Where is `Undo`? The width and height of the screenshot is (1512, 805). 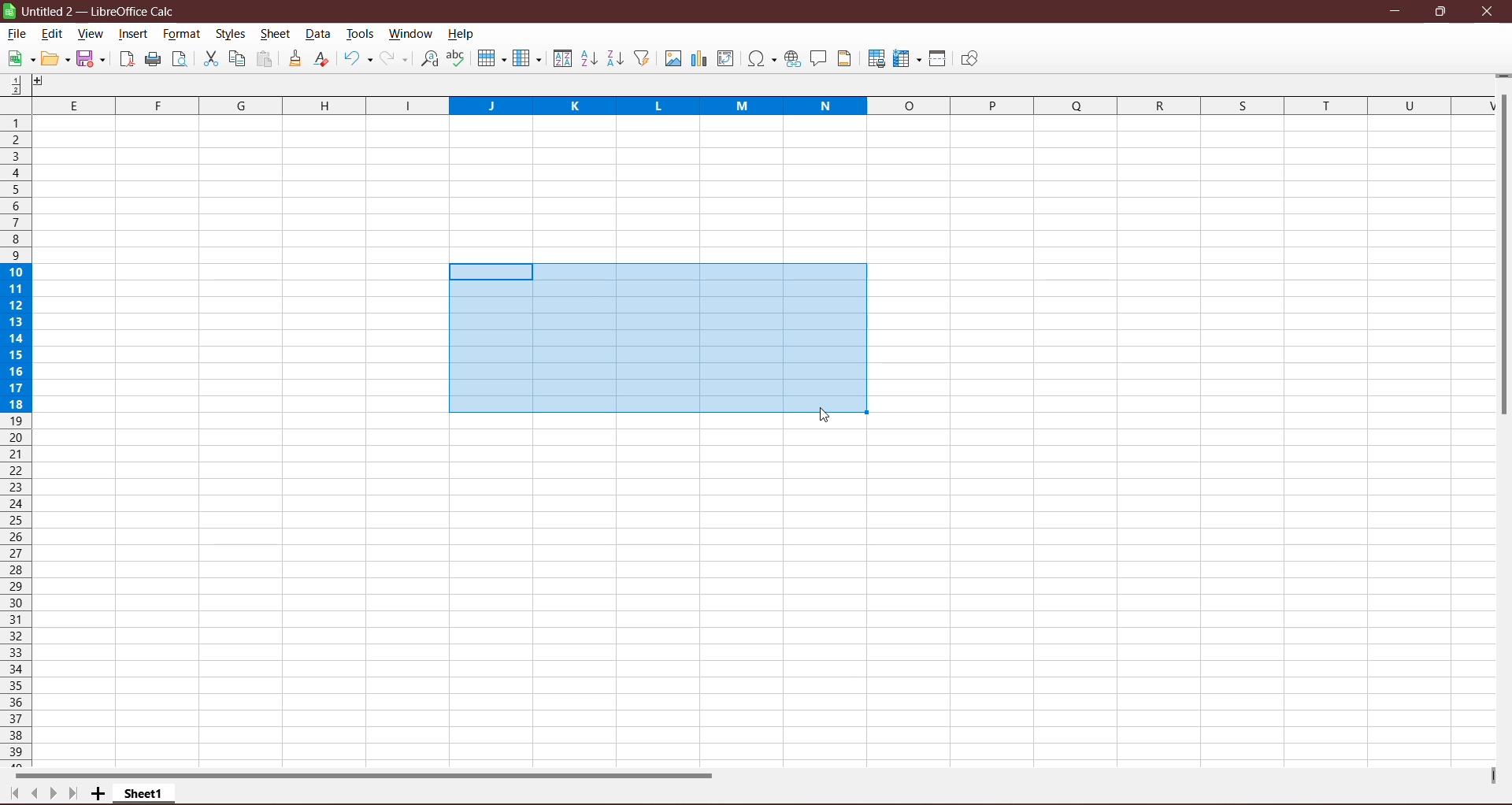 Undo is located at coordinates (358, 60).